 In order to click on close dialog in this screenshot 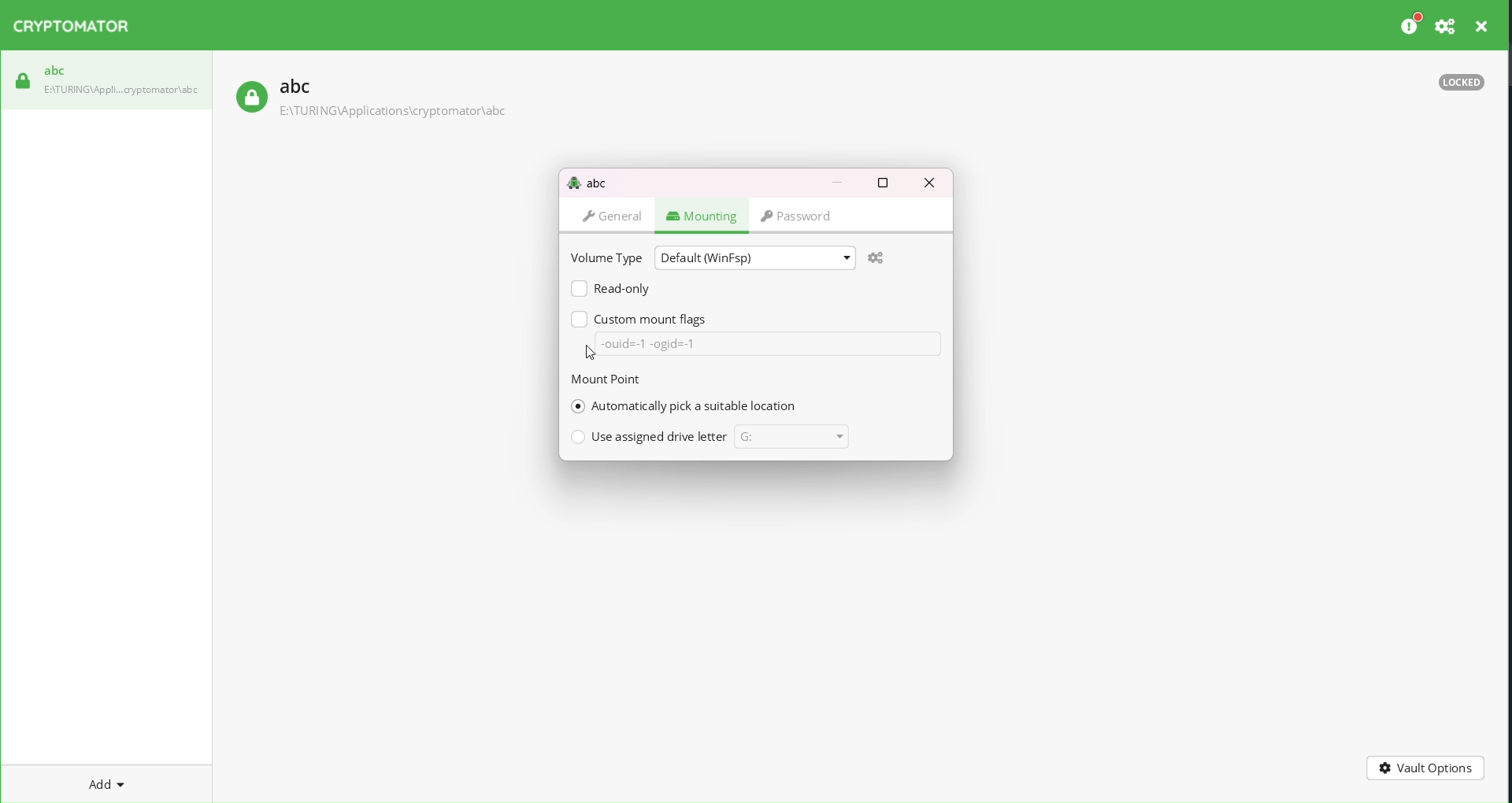, I will do `click(933, 184)`.